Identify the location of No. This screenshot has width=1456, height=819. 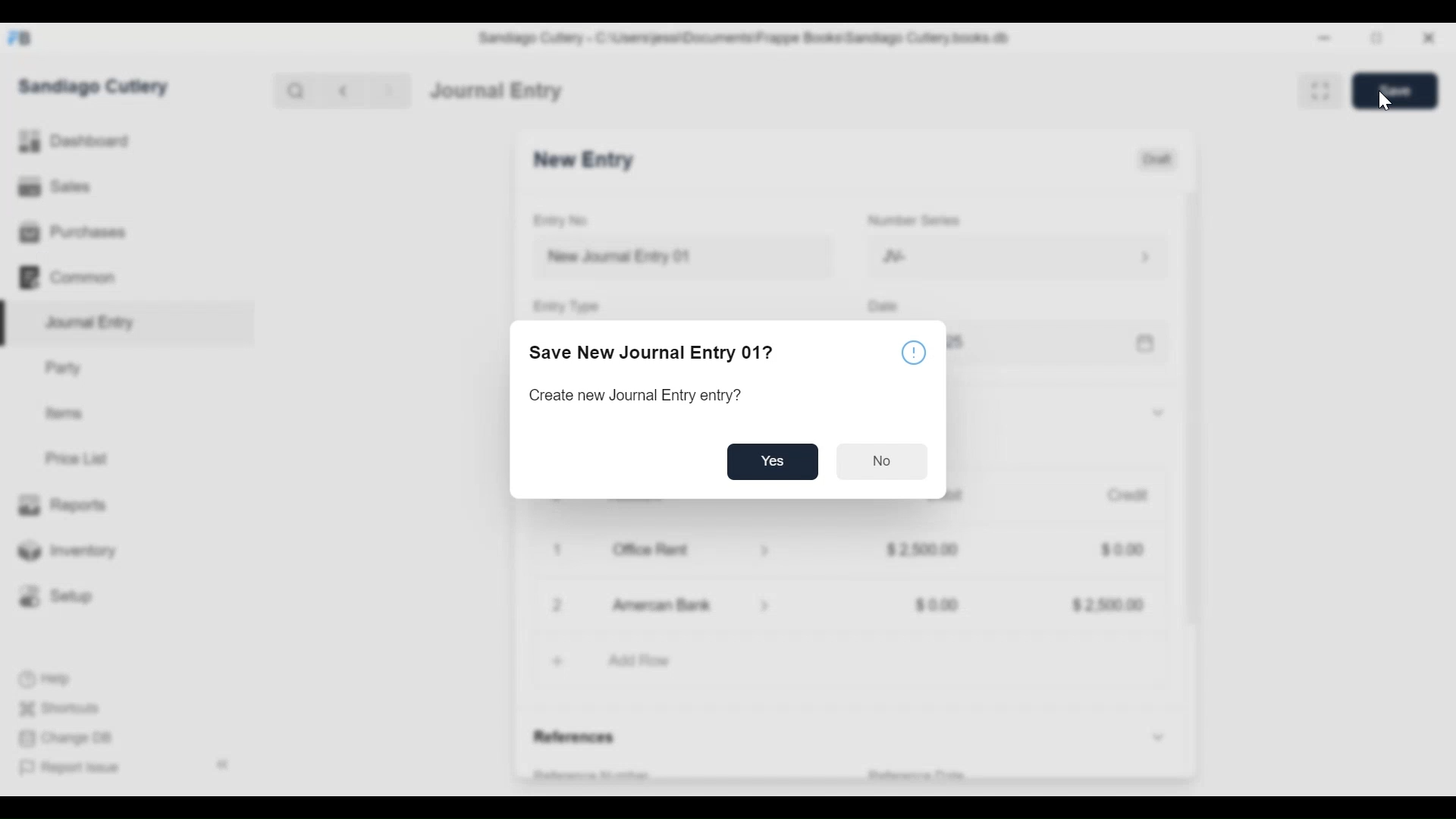
(886, 464).